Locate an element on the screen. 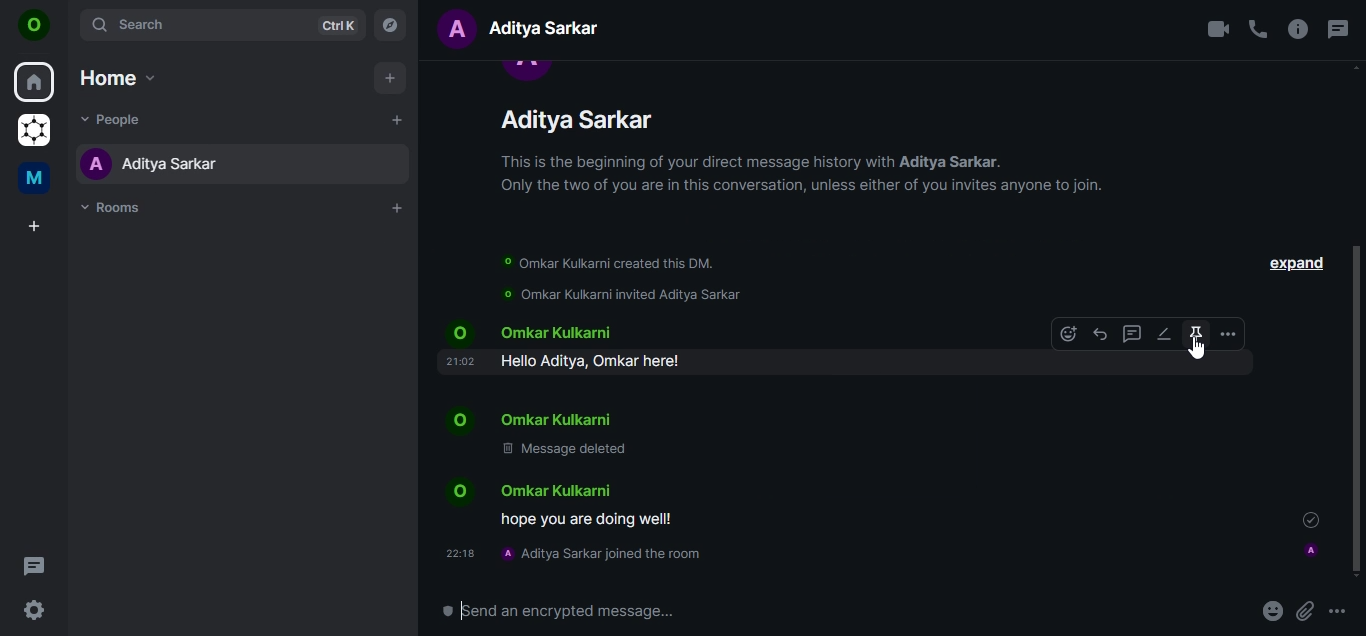 This screenshot has width=1366, height=636. threads is located at coordinates (1339, 30).